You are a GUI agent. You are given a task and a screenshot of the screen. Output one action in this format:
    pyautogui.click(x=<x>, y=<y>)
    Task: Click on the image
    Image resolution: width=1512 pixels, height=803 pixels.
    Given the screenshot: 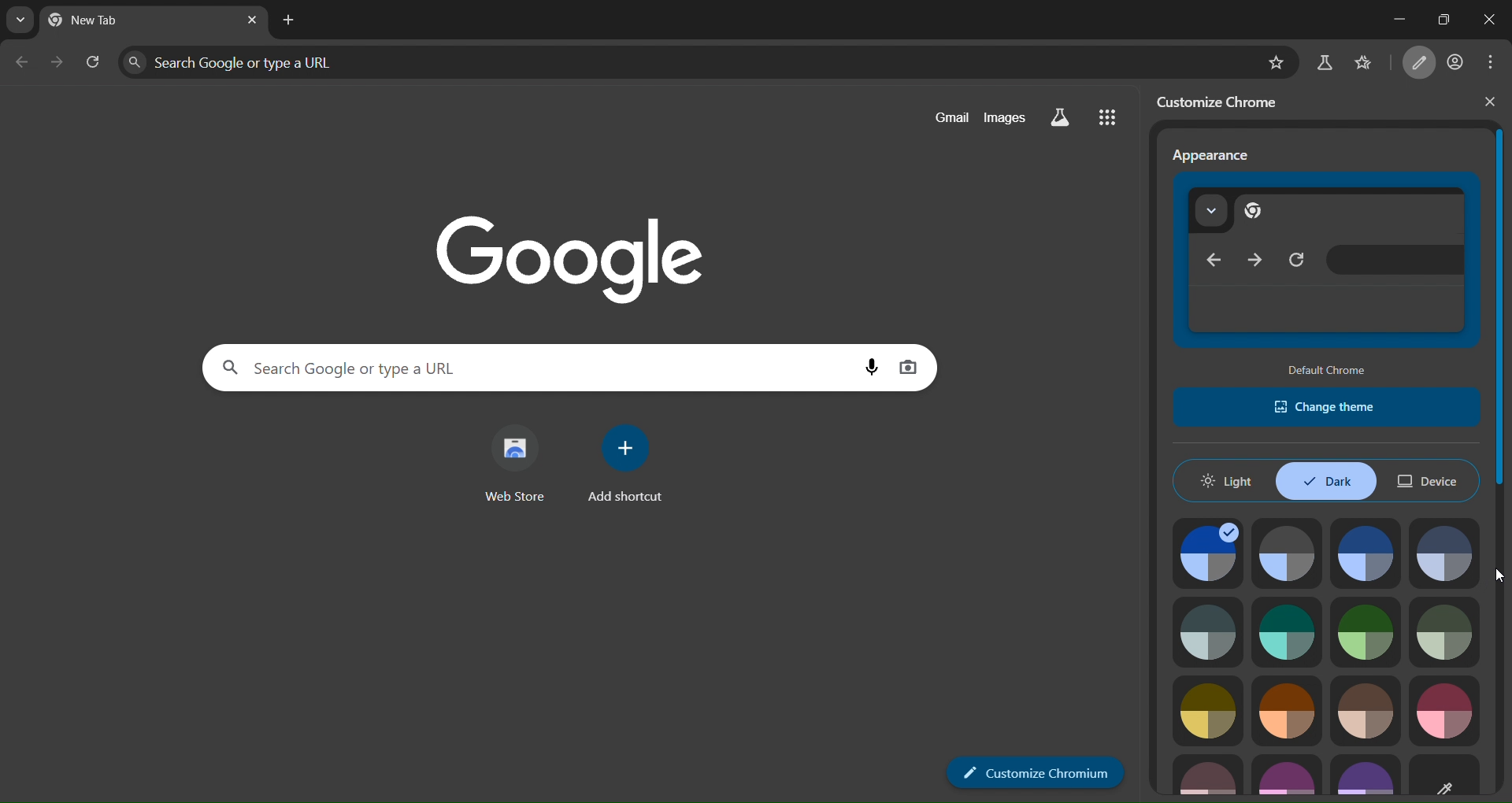 What is the action you would take?
    pyautogui.click(x=1290, y=631)
    